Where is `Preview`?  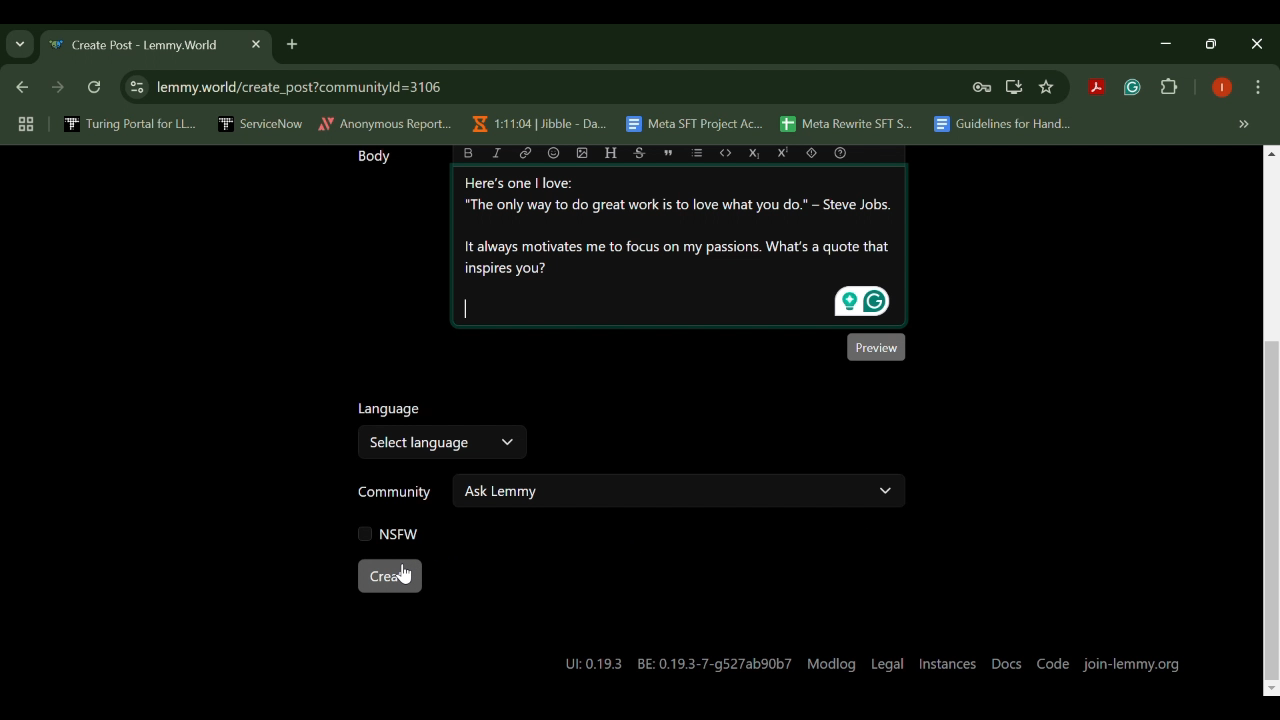
Preview is located at coordinates (875, 346).